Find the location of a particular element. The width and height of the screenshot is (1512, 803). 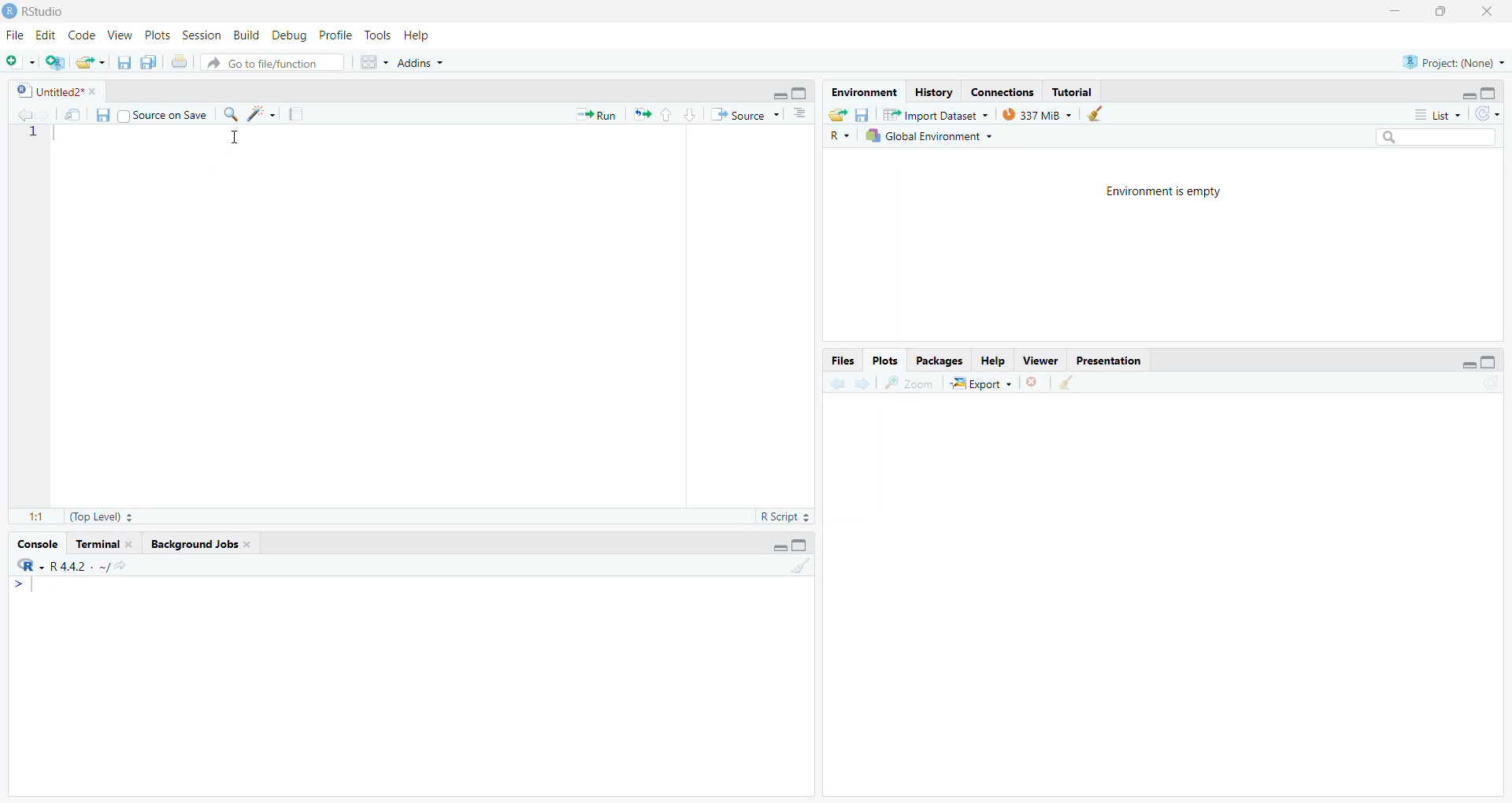

 Addins ~ is located at coordinates (424, 63).